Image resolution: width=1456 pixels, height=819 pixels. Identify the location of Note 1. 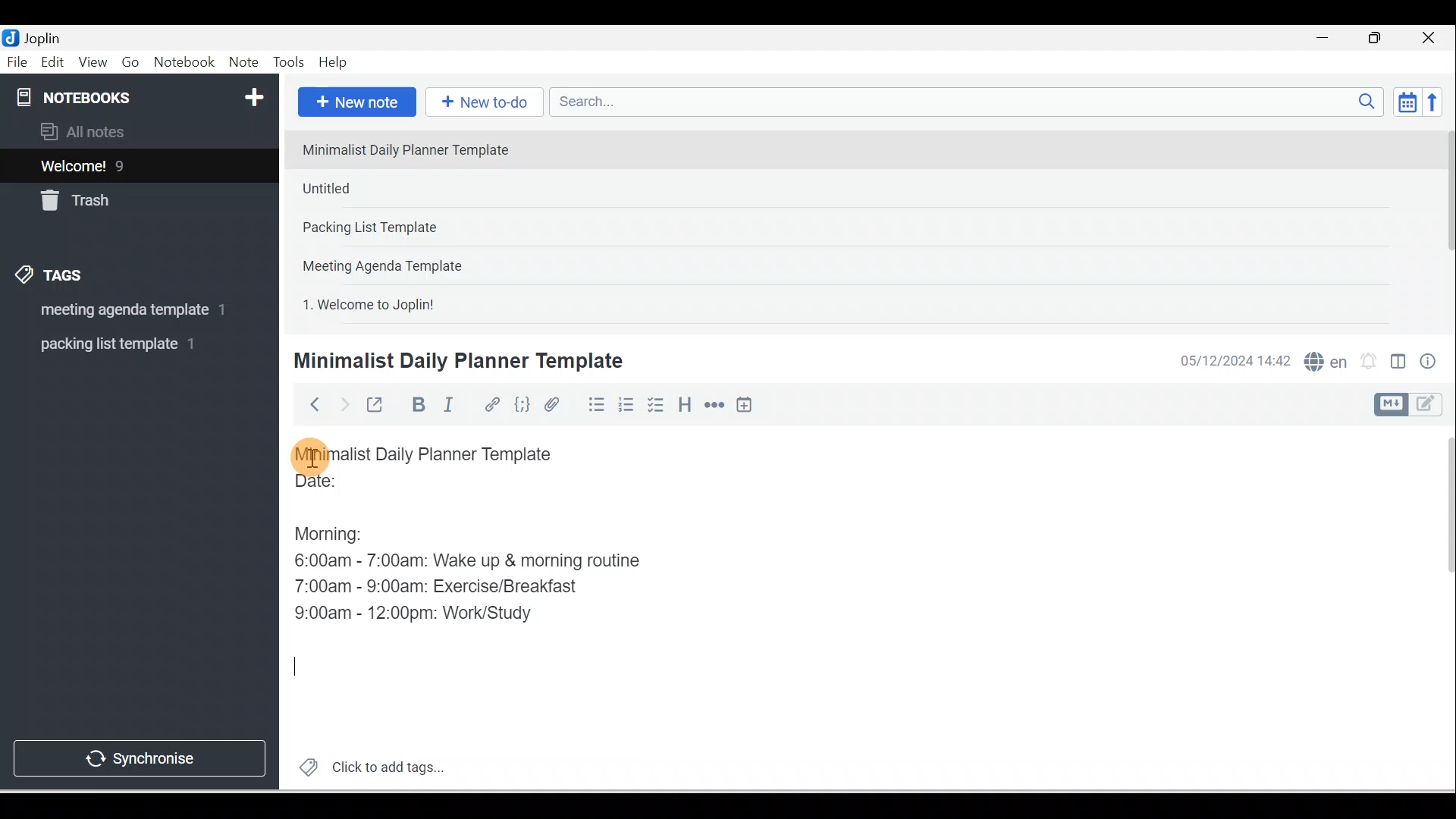
(416, 149).